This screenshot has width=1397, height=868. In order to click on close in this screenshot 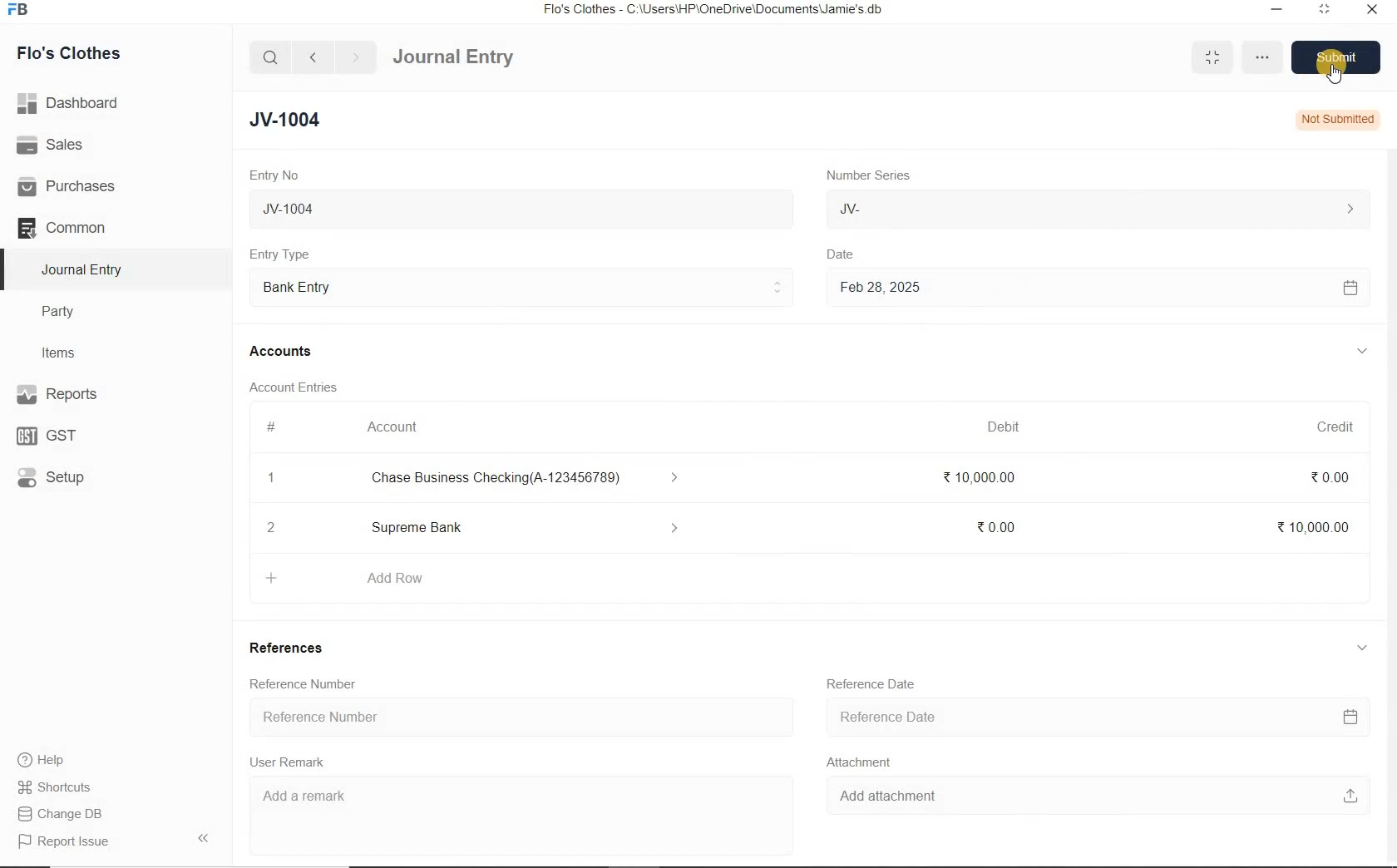, I will do `click(1371, 8)`.